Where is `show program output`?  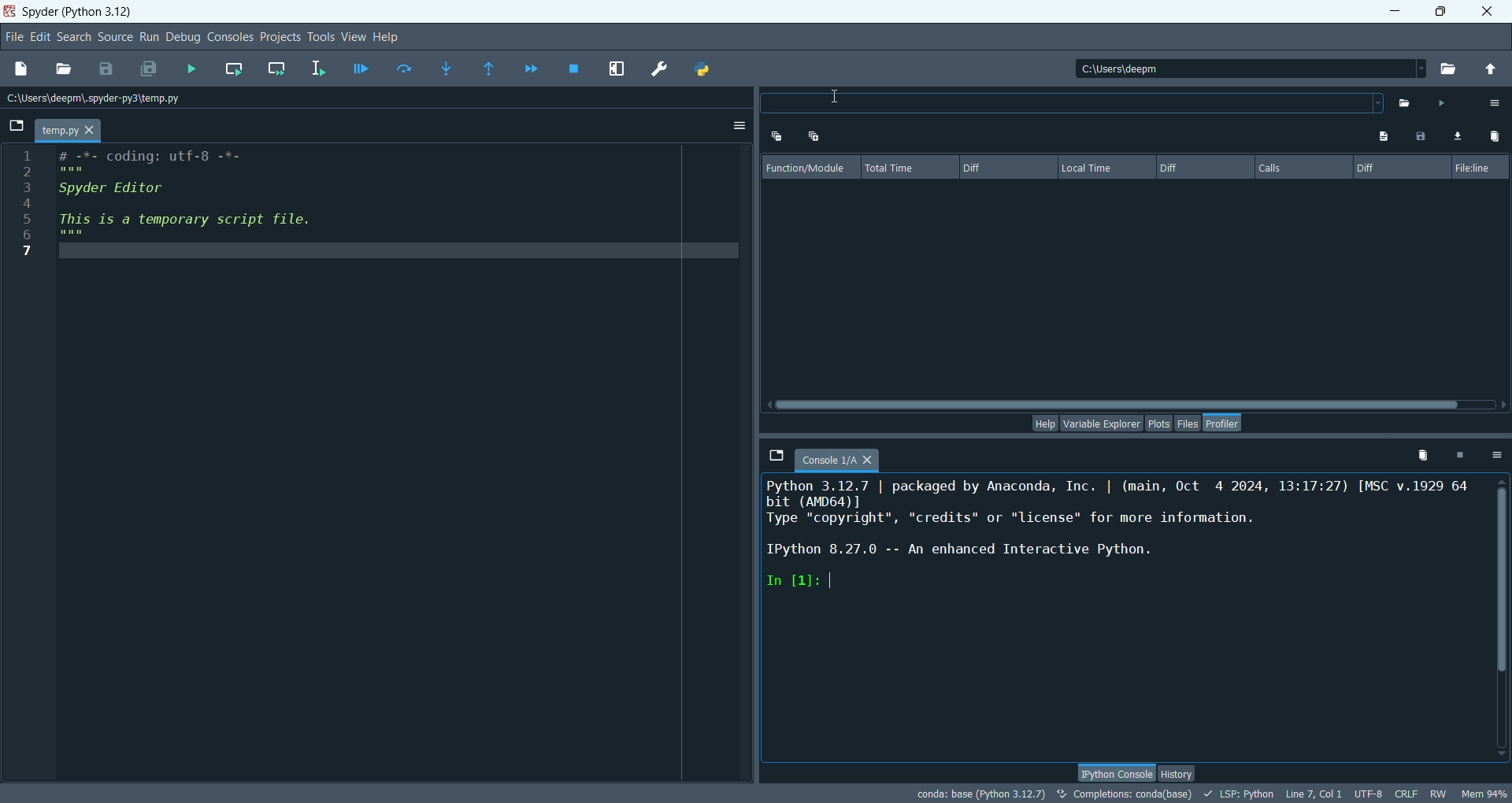
show program output is located at coordinates (1385, 135).